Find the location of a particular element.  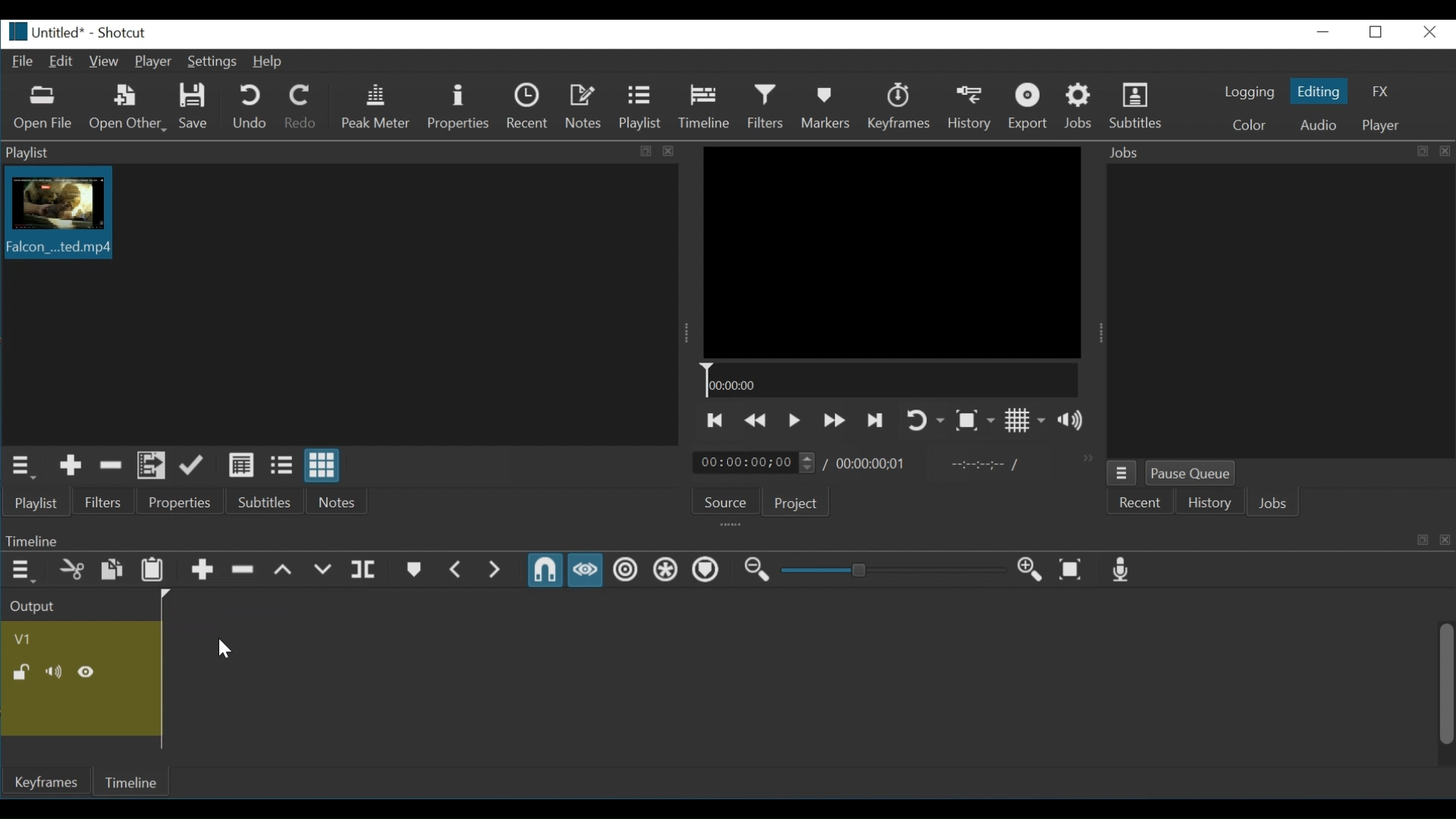

Jobs is located at coordinates (1272, 504).